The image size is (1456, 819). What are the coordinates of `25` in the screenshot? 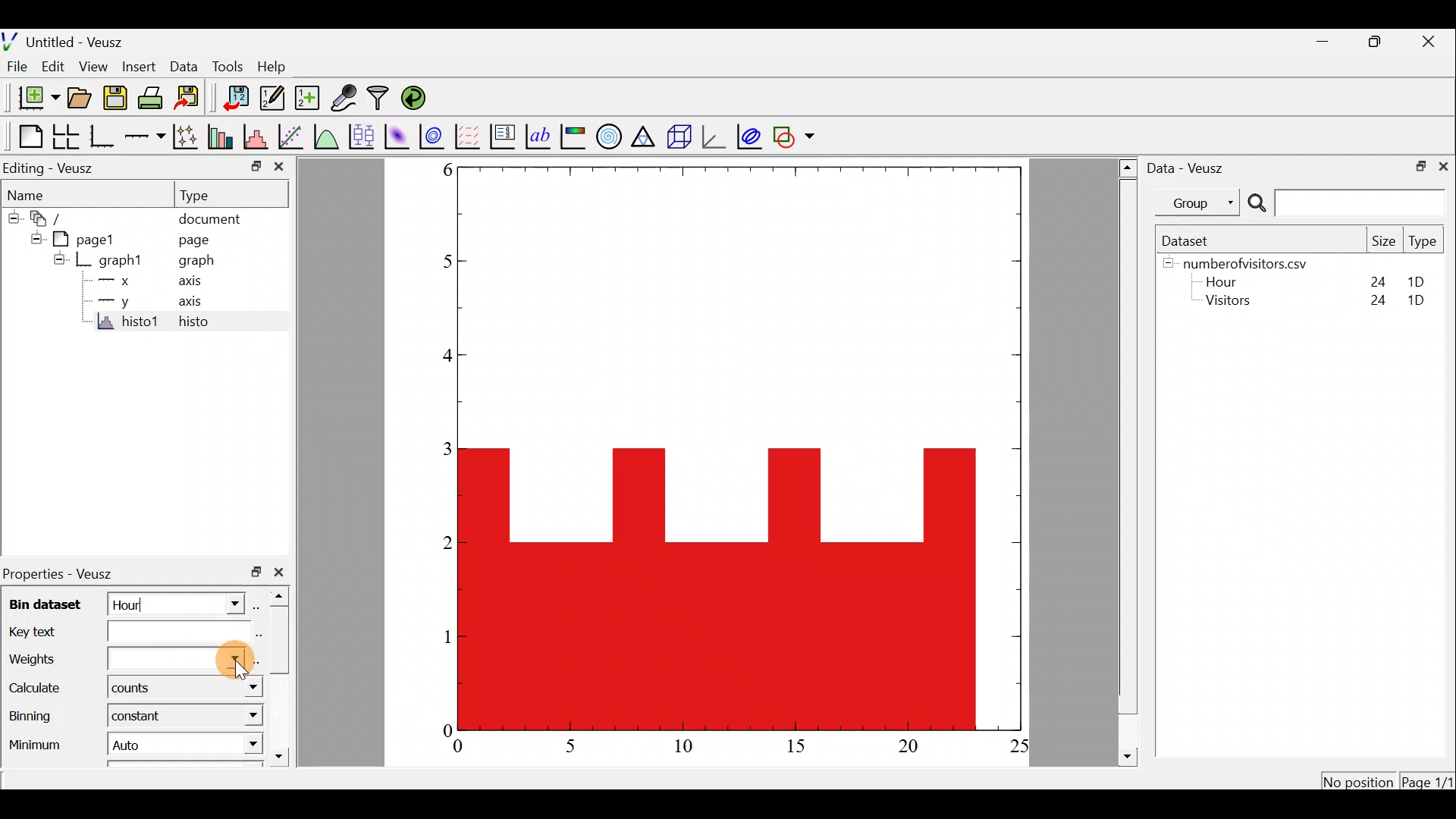 It's located at (1018, 747).